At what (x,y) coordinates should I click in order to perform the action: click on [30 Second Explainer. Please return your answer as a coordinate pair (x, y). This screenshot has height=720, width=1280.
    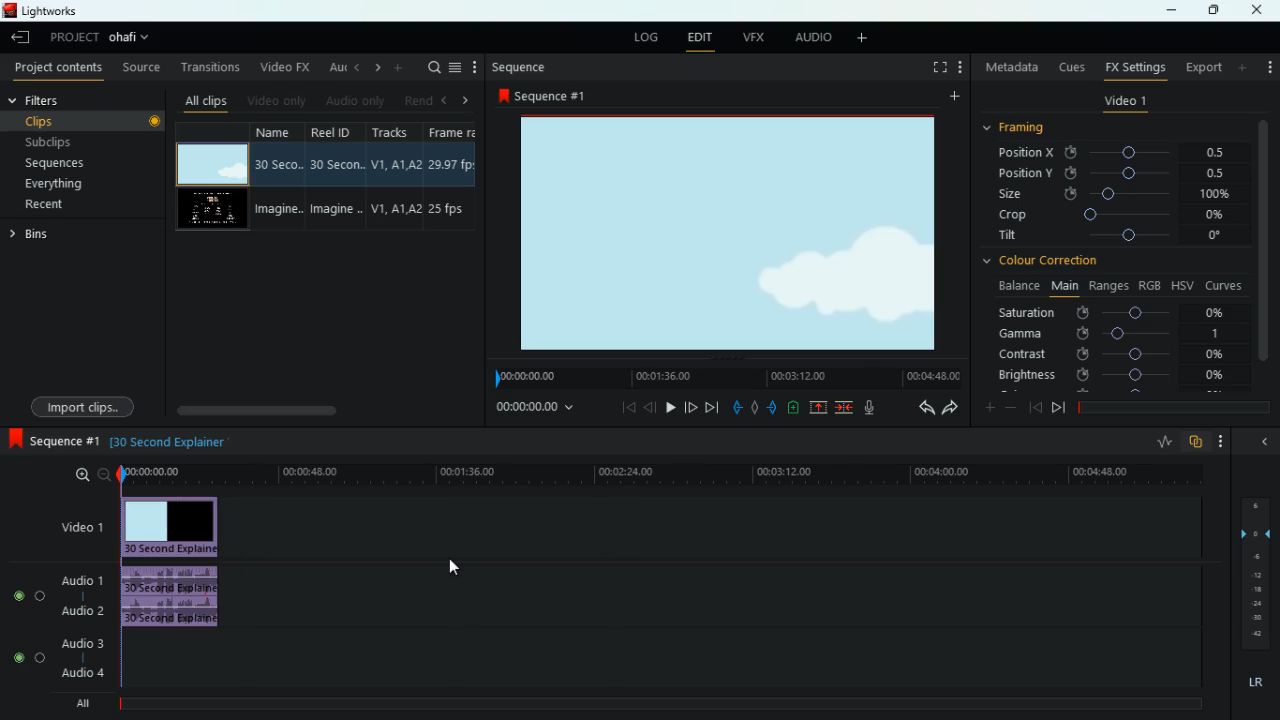
    Looking at the image, I should click on (174, 442).